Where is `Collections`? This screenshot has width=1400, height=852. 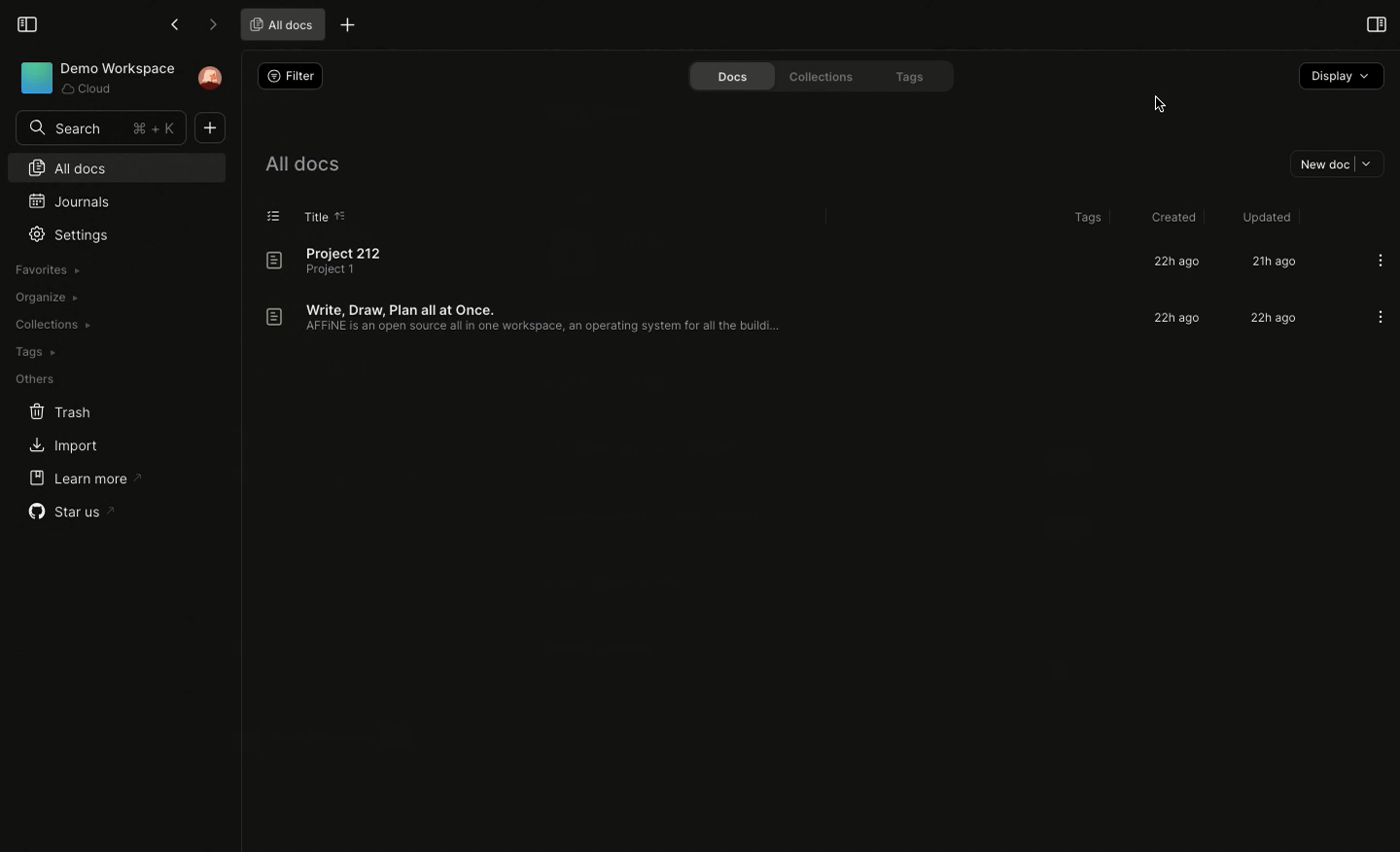
Collections is located at coordinates (822, 77).